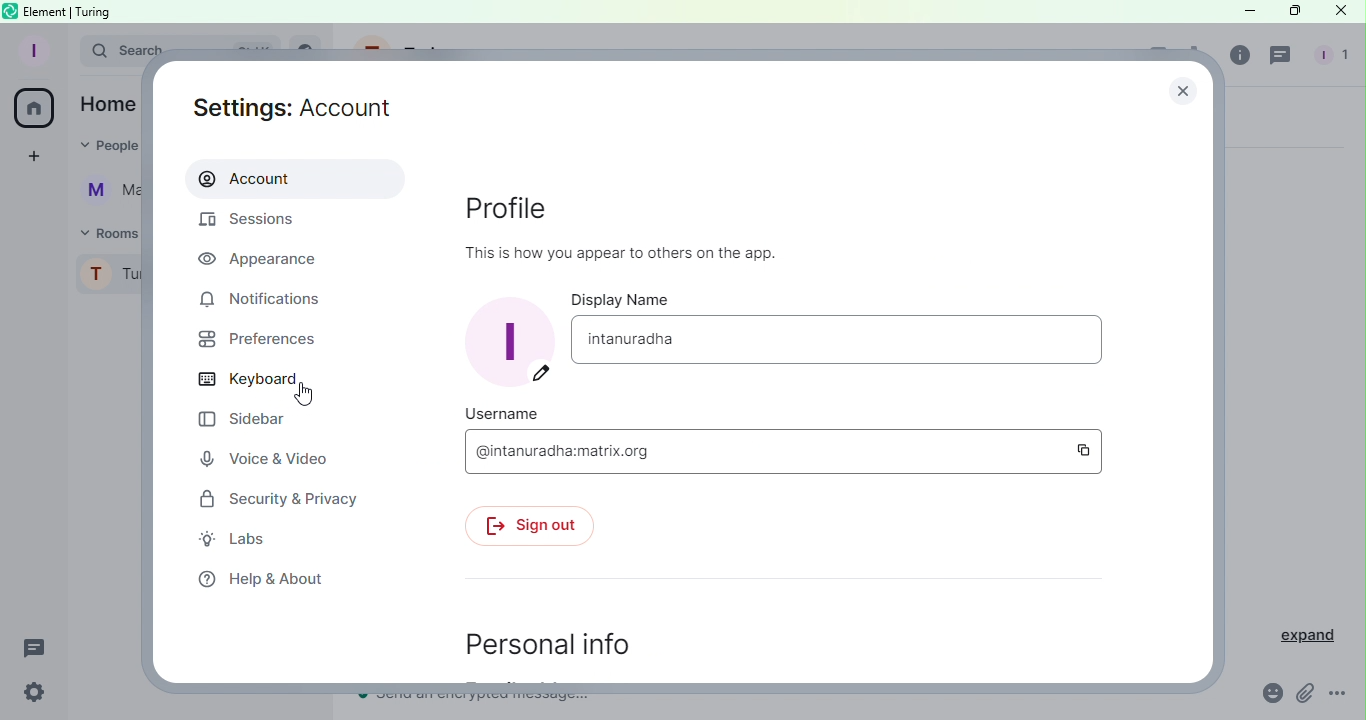  I want to click on Labs, so click(245, 541).